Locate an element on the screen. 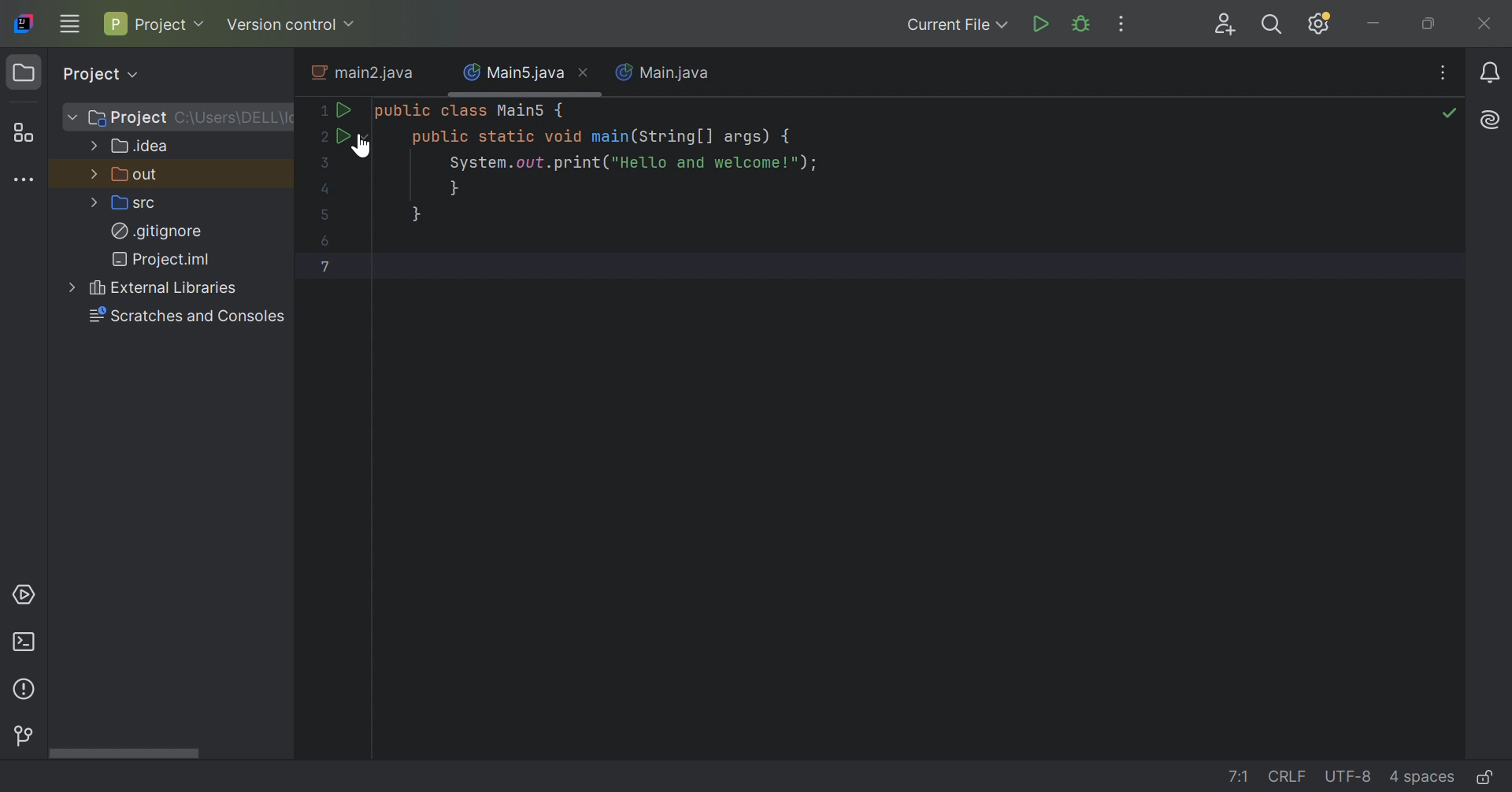 The width and height of the screenshot is (1512, 792). External Libraries is located at coordinates (163, 288).